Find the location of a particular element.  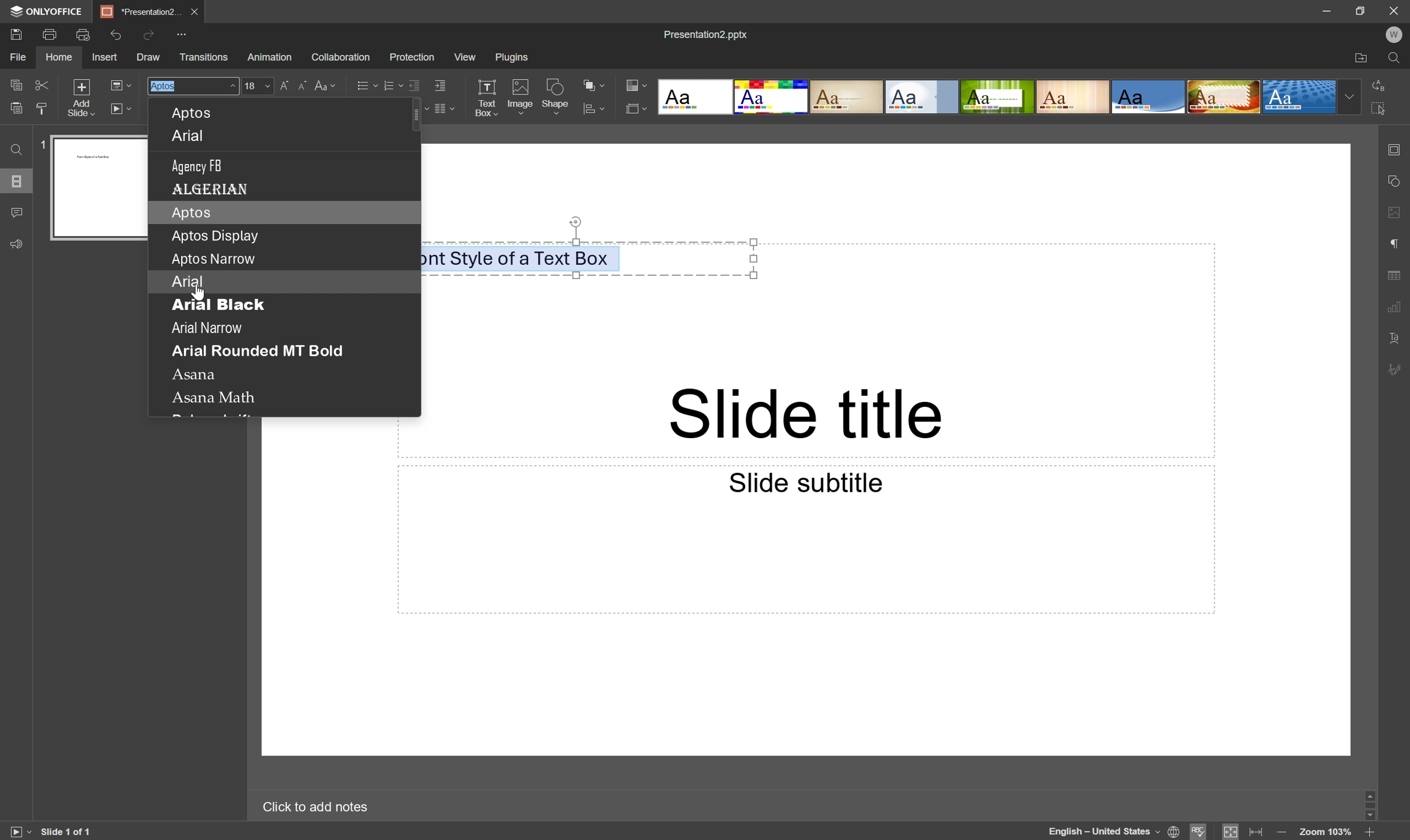

Minimize is located at coordinates (1327, 8).